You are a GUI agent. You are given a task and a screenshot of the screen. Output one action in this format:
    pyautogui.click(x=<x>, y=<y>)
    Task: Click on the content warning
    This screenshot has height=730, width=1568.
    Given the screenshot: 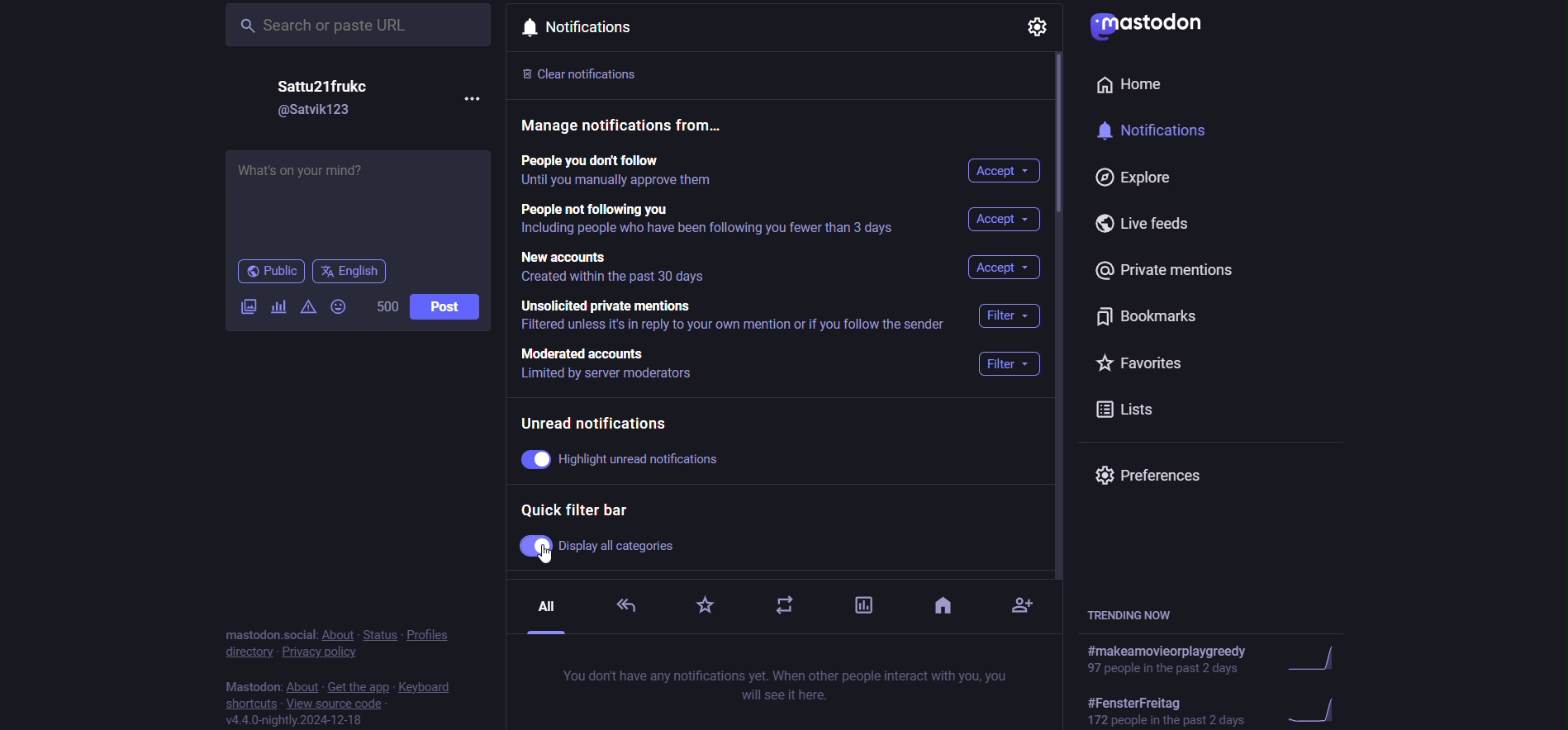 What is the action you would take?
    pyautogui.click(x=306, y=306)
    